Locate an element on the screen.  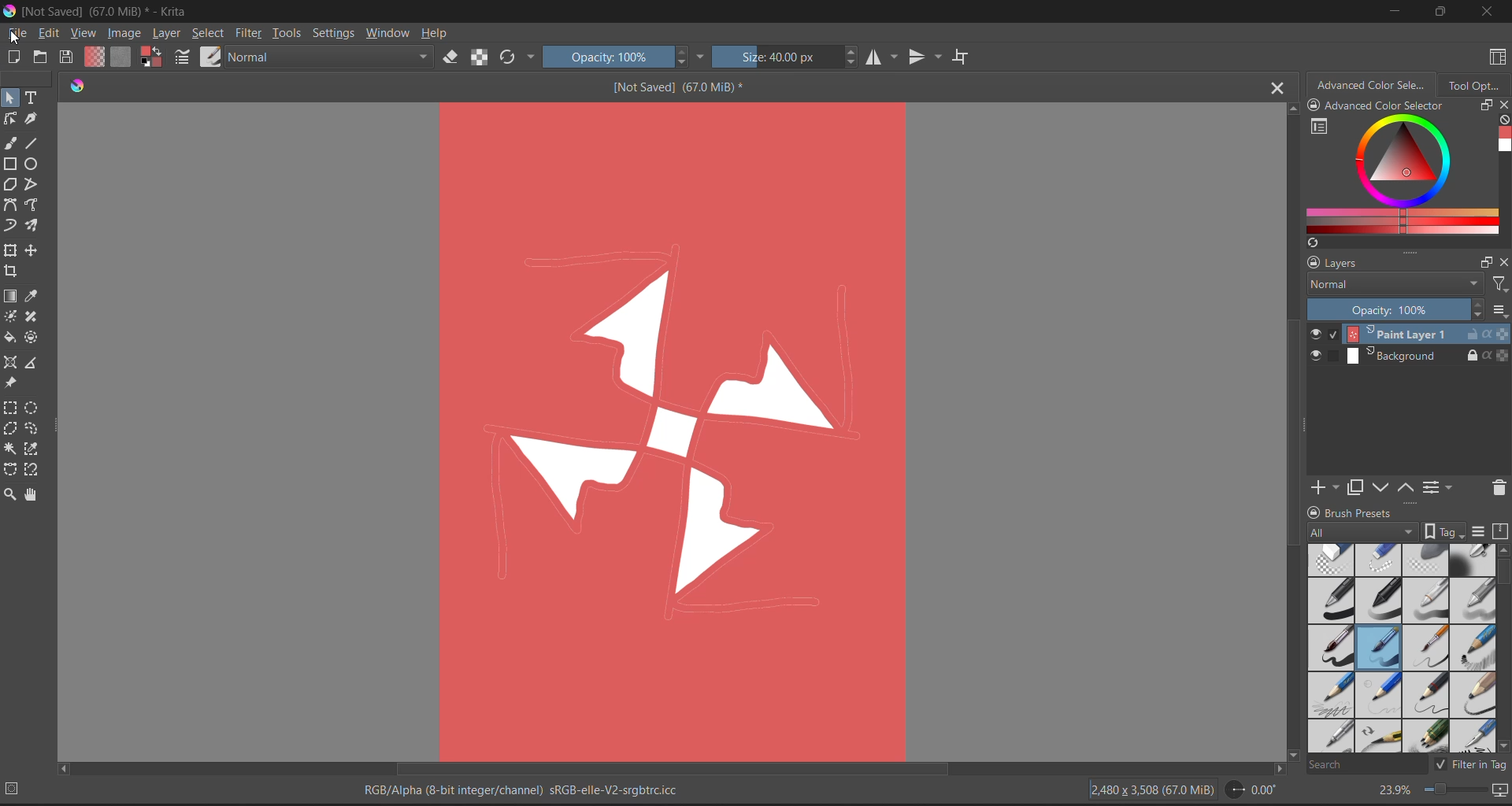
tools is located at coordinates (35, 364).